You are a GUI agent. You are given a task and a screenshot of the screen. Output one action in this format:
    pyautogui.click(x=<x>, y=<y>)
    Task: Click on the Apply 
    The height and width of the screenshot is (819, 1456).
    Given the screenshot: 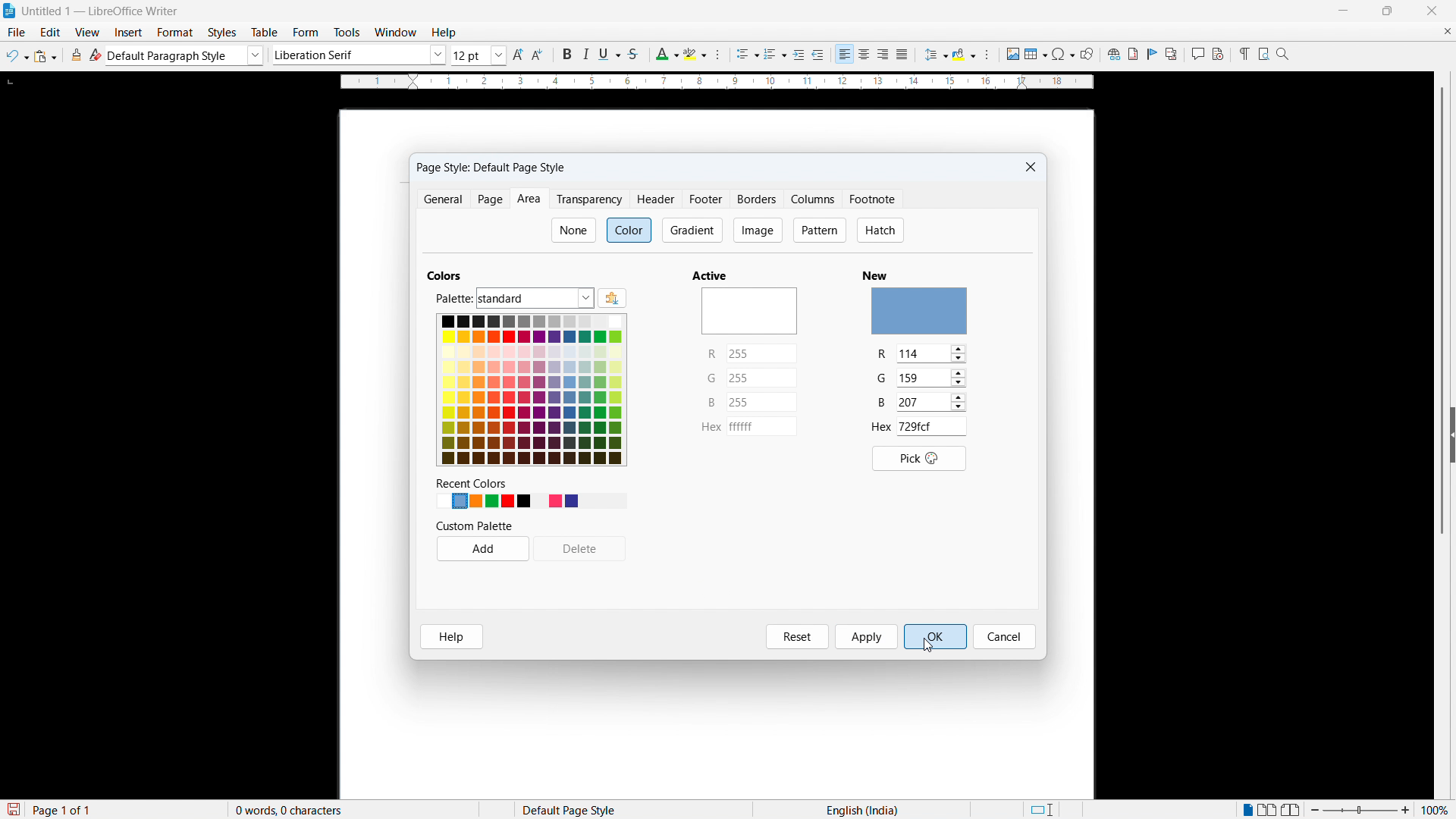 What is the action you would take?
    pyautogui.click(x=868, y=636)
    